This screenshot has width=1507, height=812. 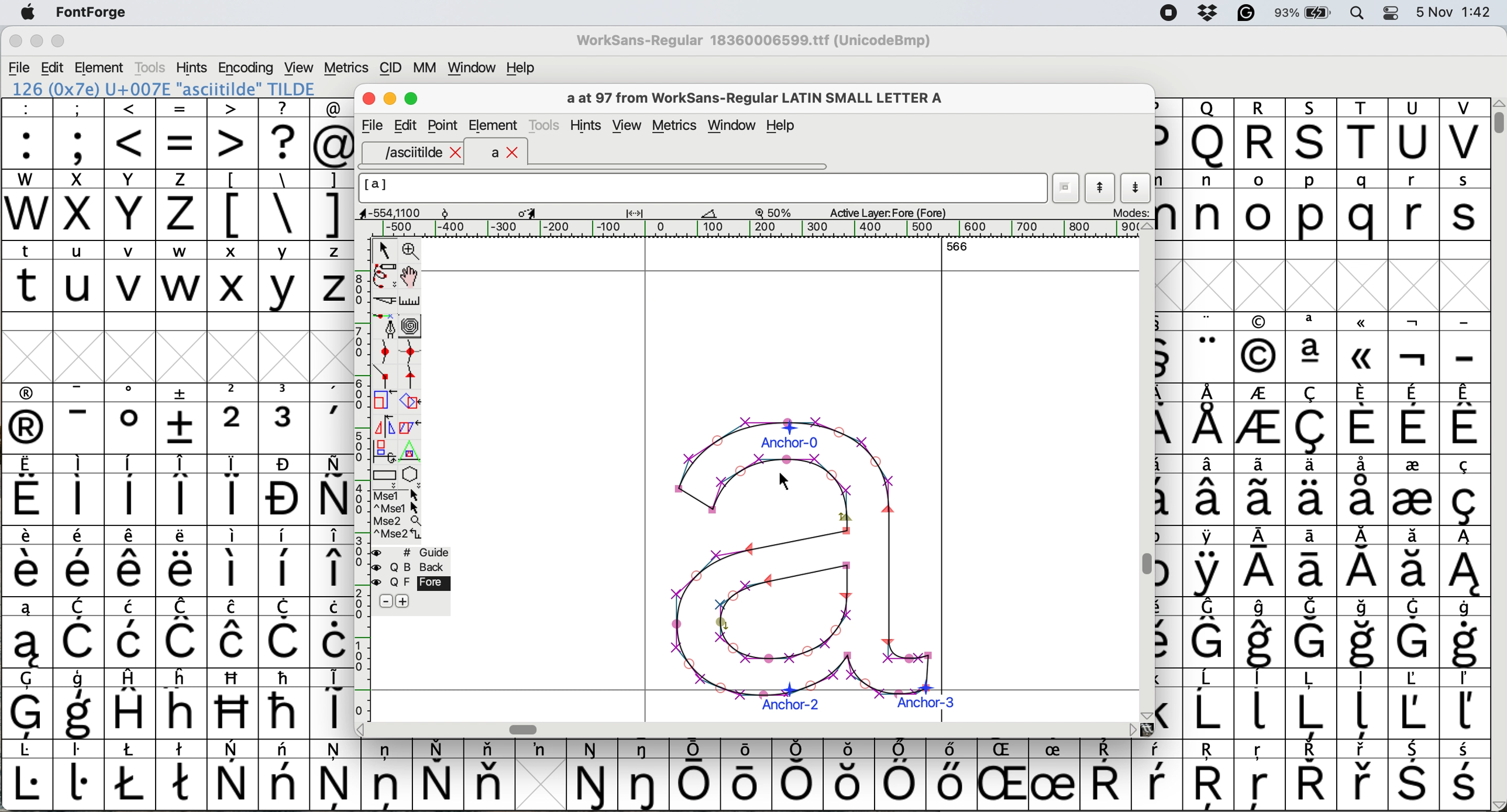 I want to click on add a  point then drag out its control points, so click(x=386, y=325).